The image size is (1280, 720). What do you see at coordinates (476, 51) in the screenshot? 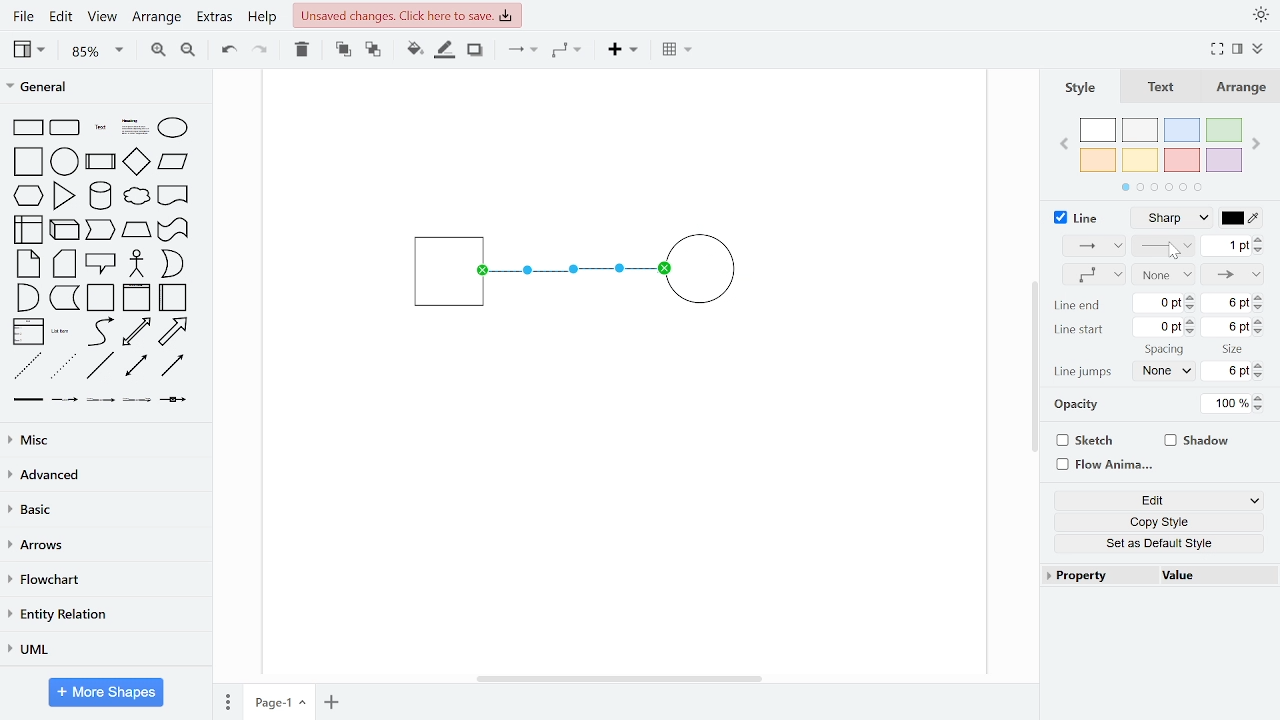
I see `shadow` at bounding box center [476, 51].